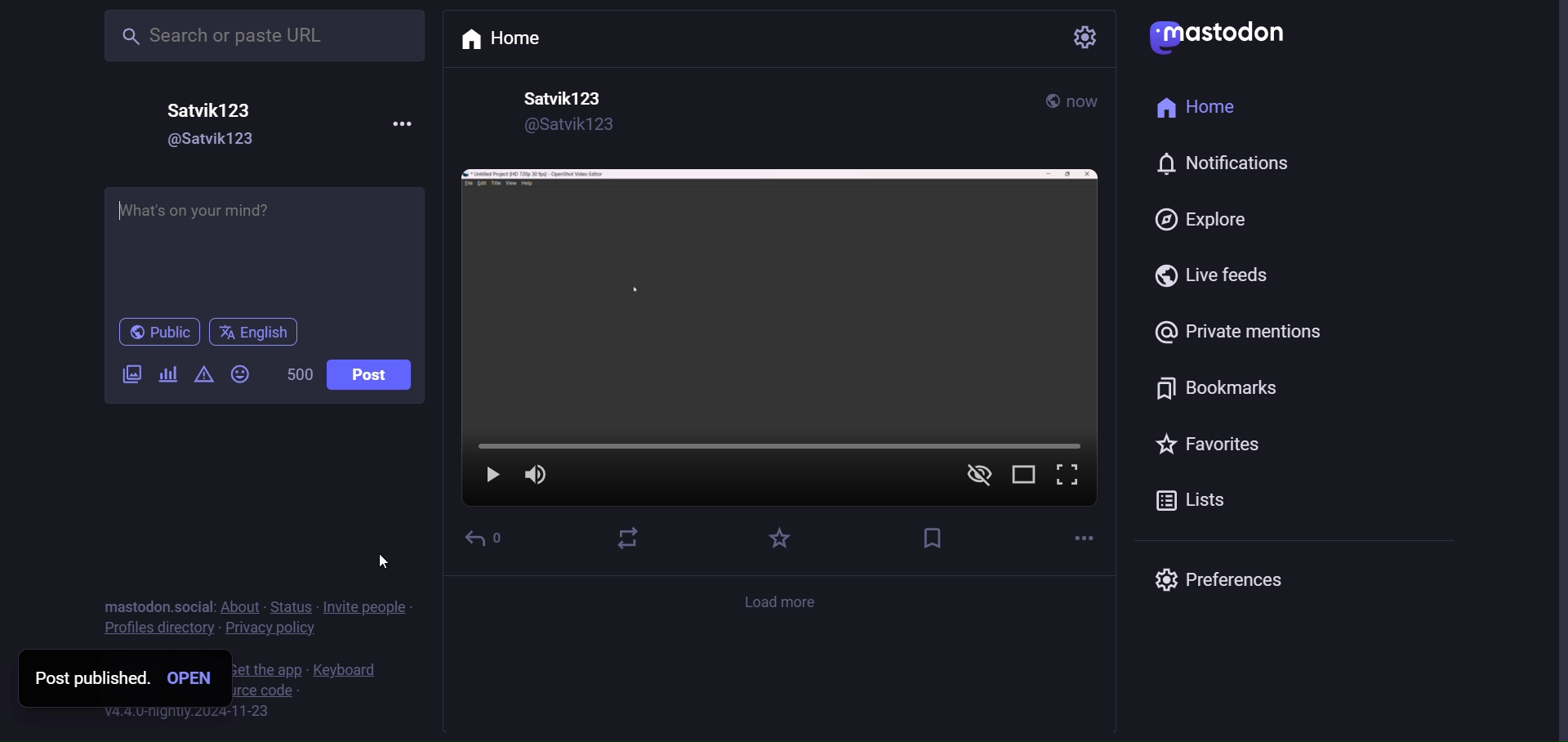 The image size is (1568, 742). Describe the element at coordinates (777, 297) in the screenshot. I see `video shared` at that location.